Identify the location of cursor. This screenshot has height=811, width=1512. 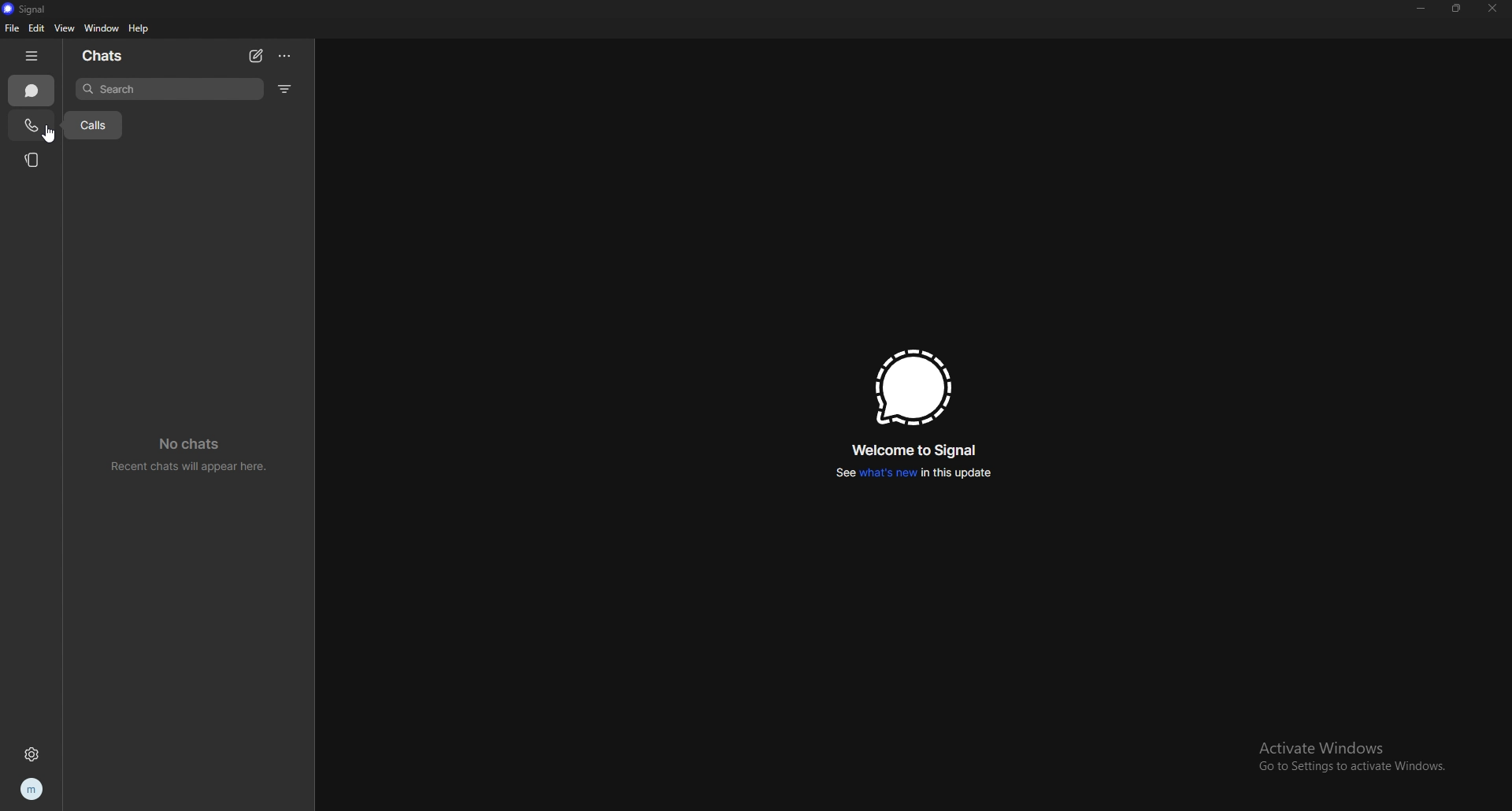
(52, 139).